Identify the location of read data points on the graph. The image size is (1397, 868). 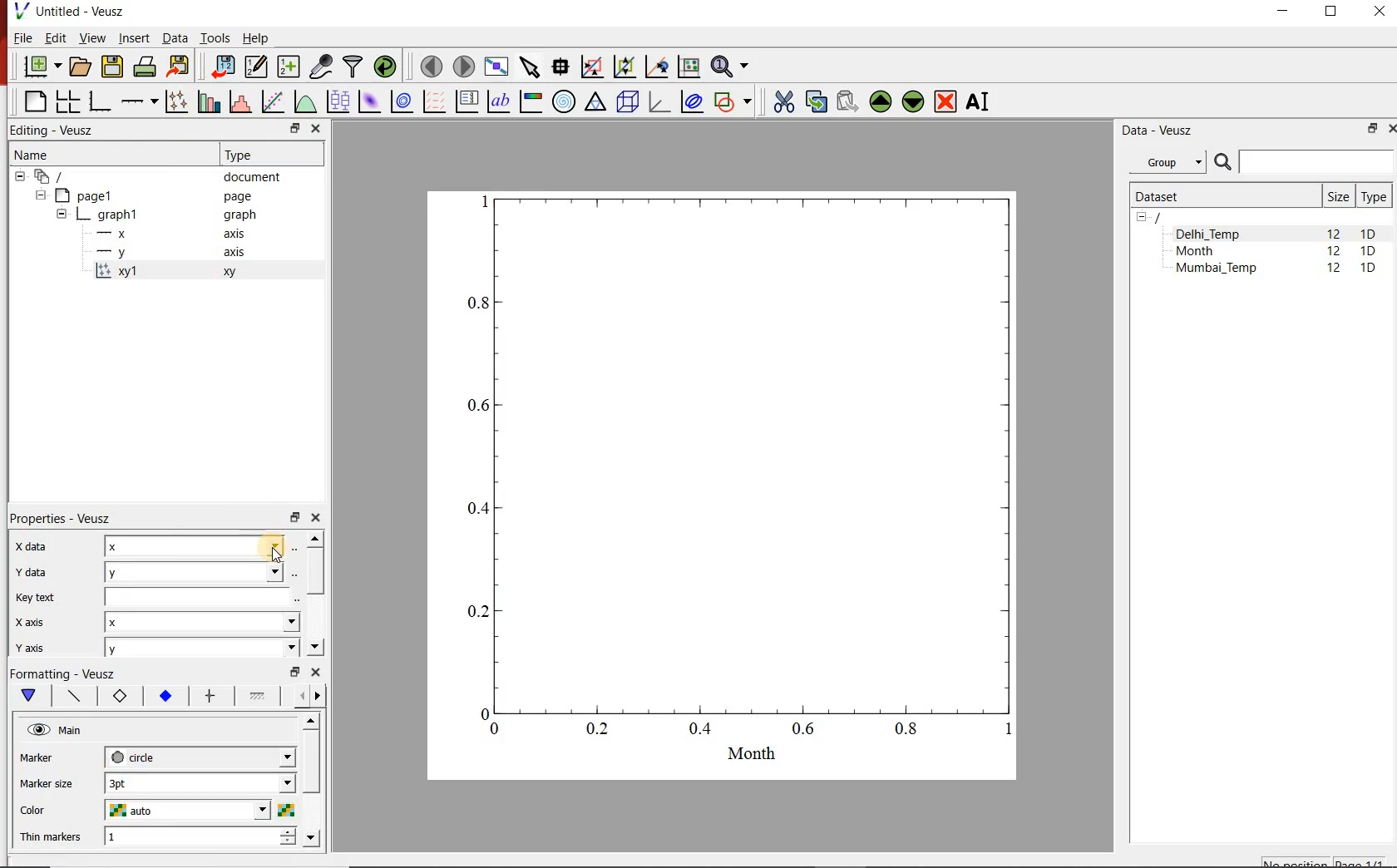
(560, 67).